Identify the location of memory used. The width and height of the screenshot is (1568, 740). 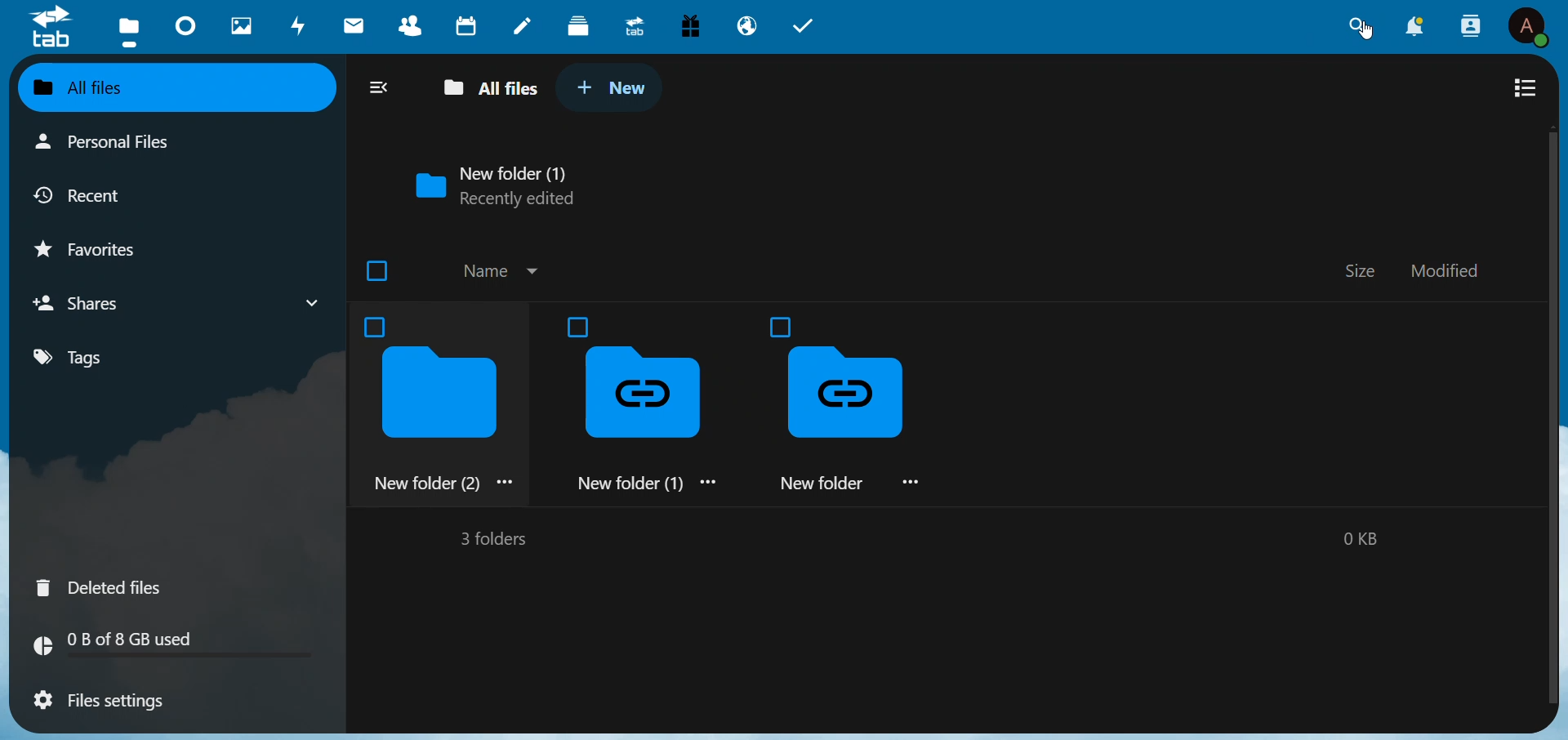
(168, 645).